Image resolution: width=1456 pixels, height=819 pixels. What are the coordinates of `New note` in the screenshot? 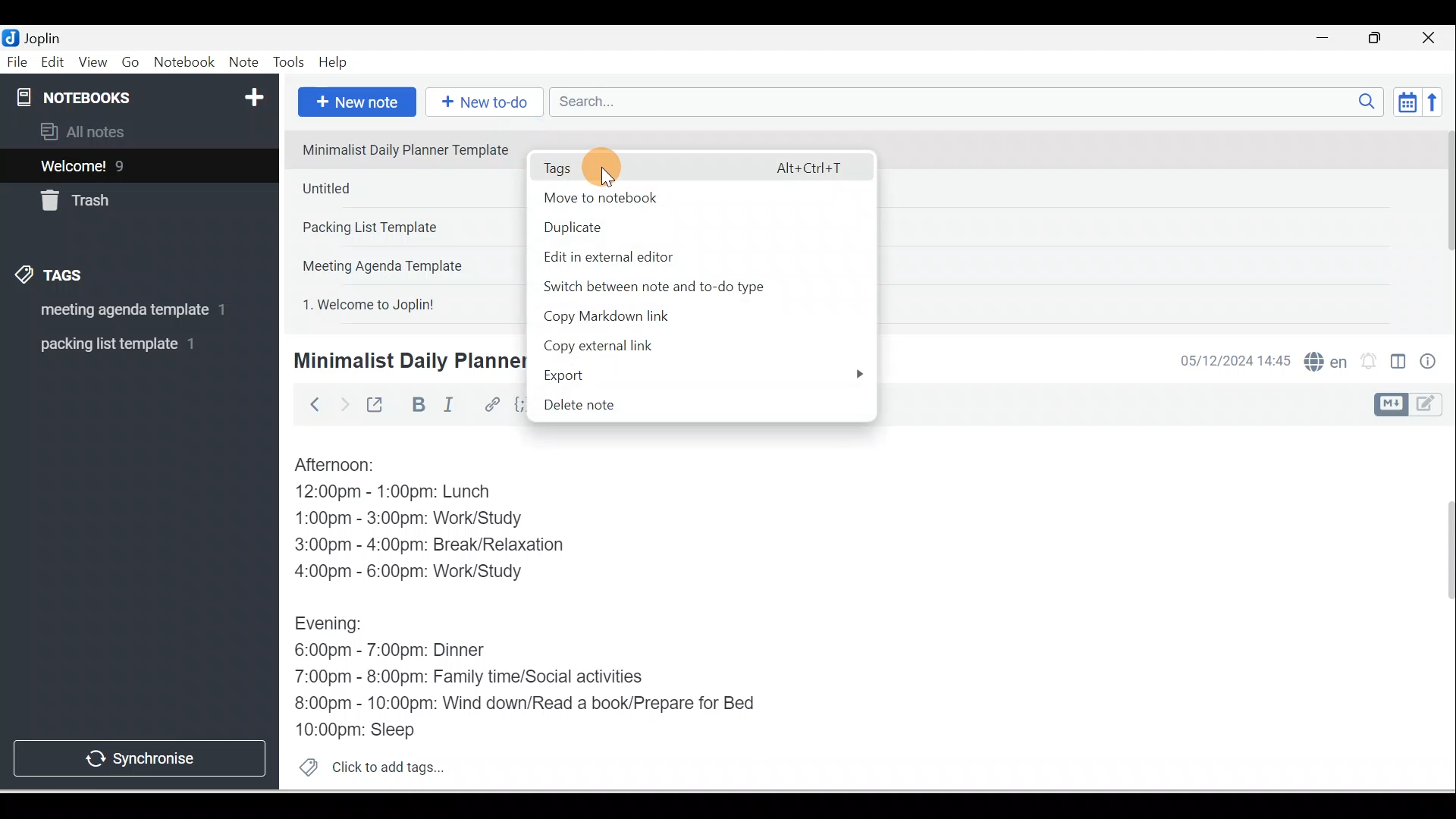 It's located at (354, 103).